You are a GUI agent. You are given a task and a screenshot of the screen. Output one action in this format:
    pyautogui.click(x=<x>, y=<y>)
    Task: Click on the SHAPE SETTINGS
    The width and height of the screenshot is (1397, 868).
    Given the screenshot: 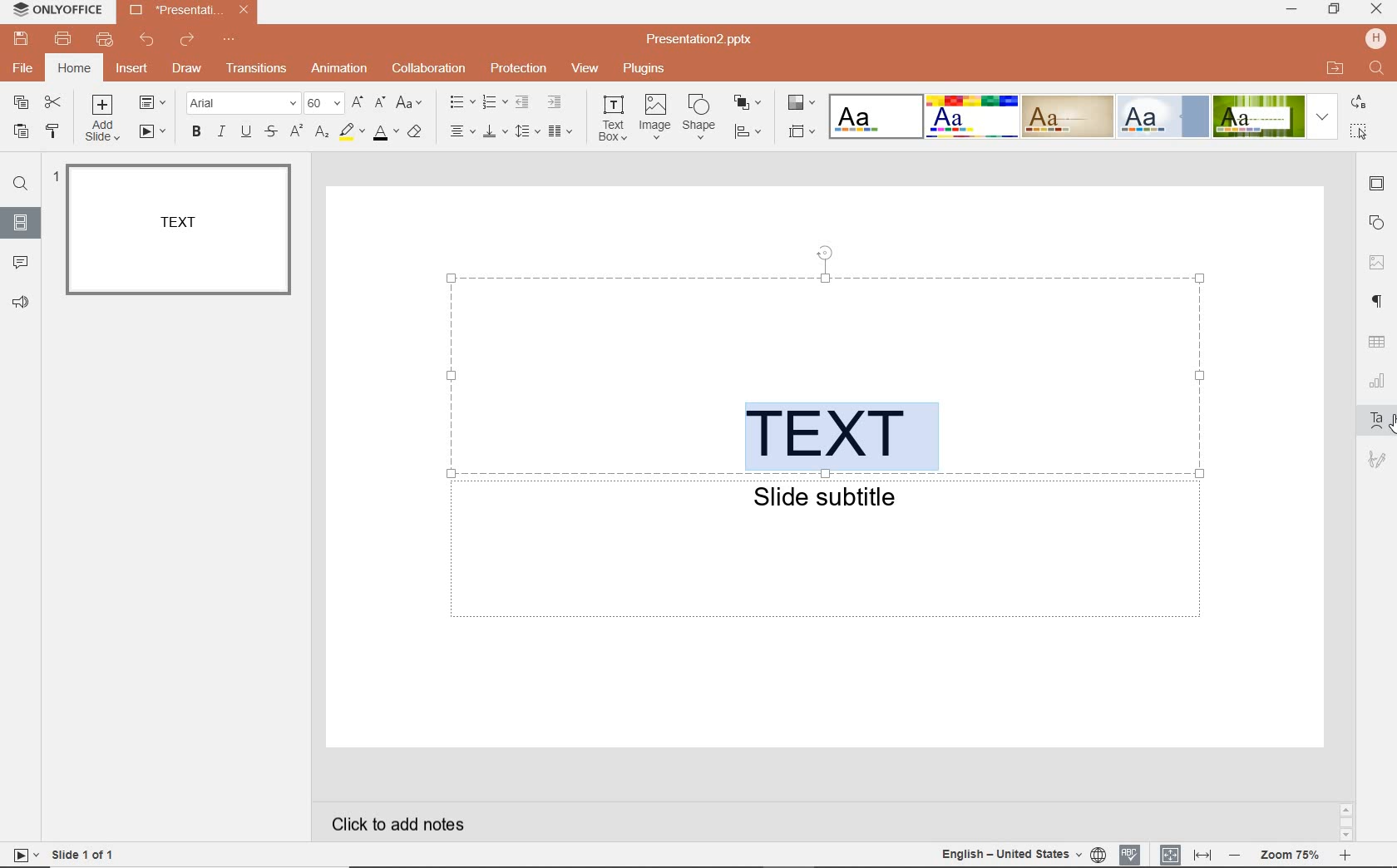 What is the action you would take?
    pyautogui.click(x=1376, y=225)
    